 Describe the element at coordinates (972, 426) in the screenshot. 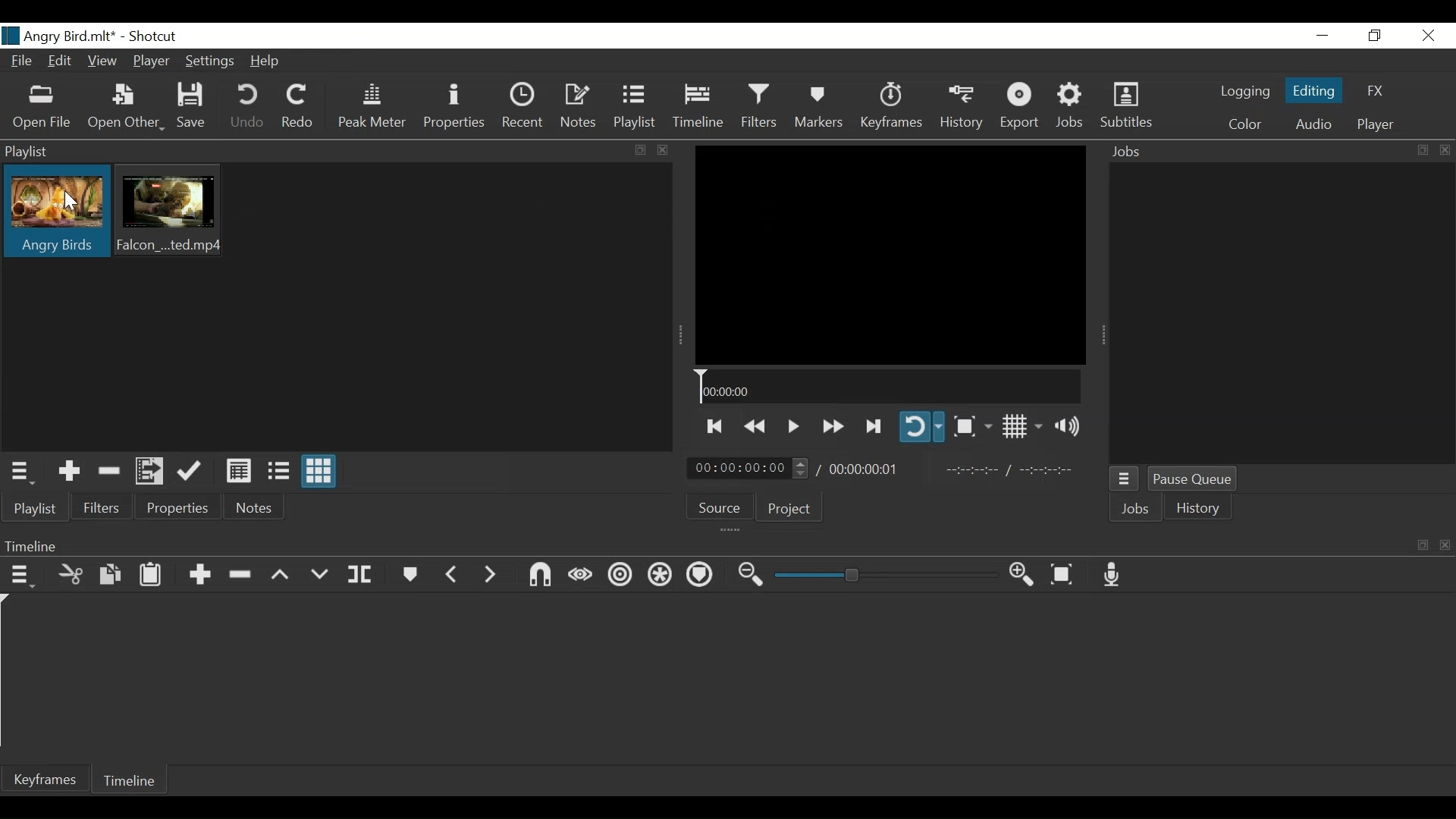

I see `Toggle Zoom` at that location.